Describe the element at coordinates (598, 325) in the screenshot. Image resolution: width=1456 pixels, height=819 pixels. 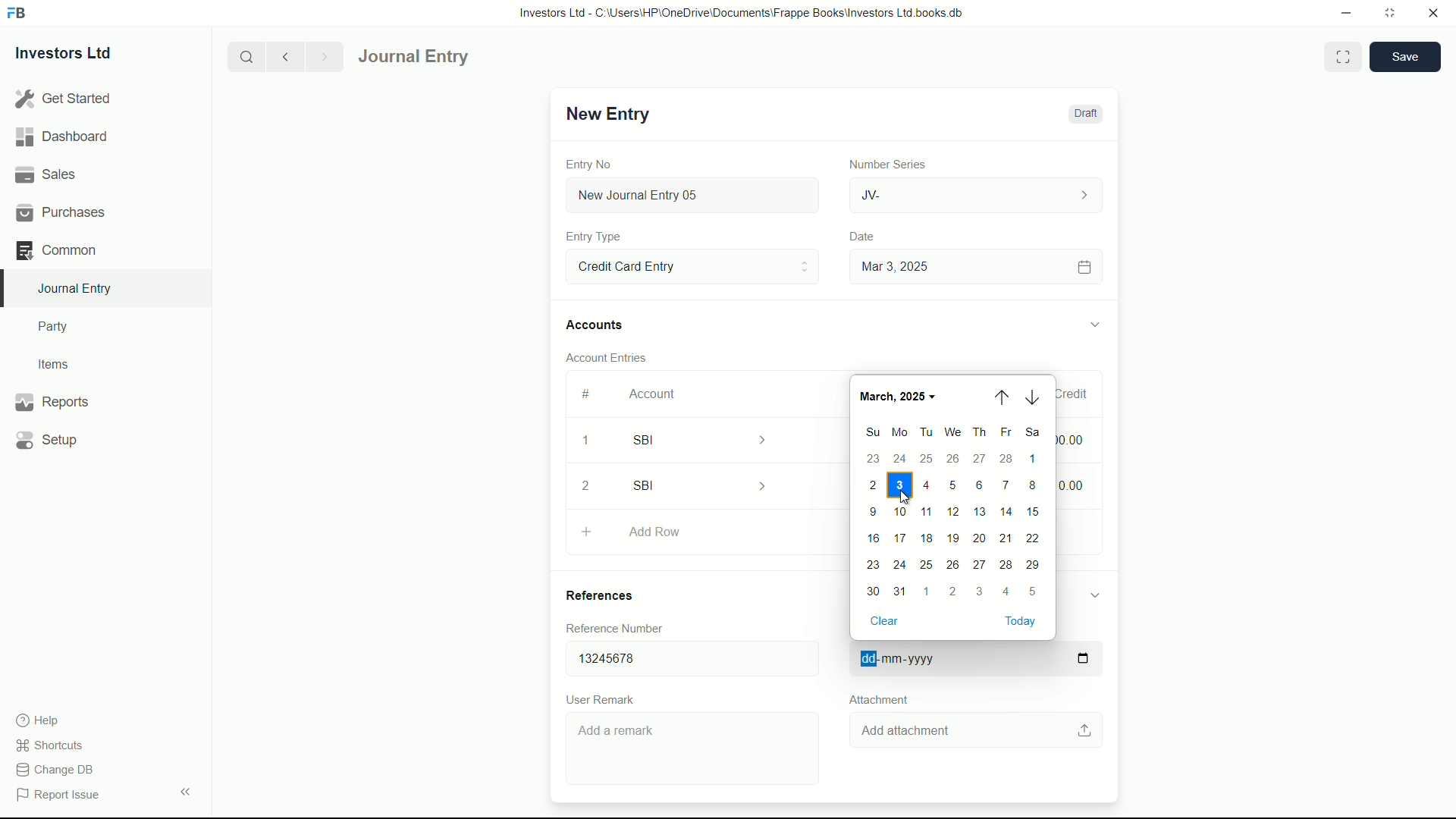
I see `Accounts` at that location.